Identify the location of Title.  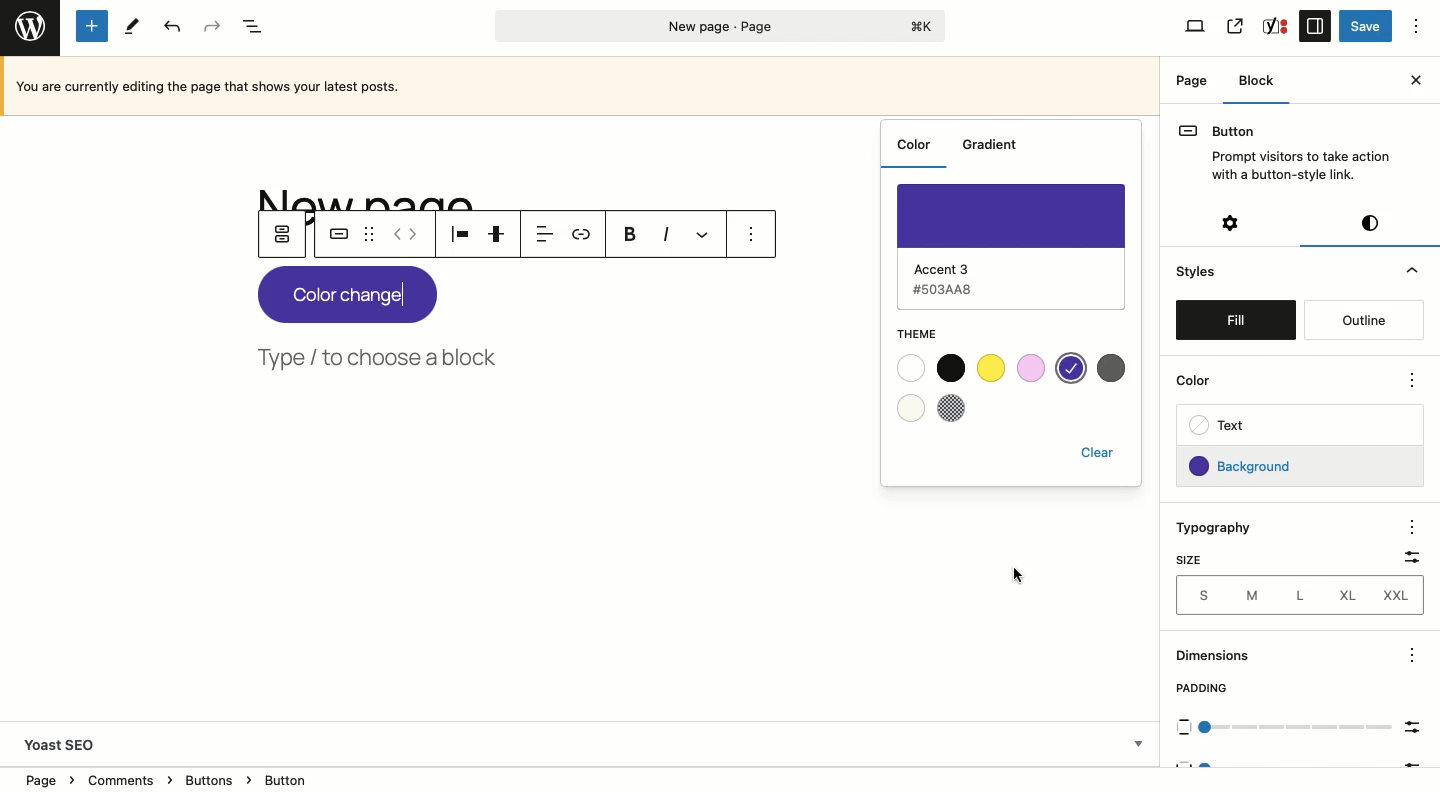
(395, 197).